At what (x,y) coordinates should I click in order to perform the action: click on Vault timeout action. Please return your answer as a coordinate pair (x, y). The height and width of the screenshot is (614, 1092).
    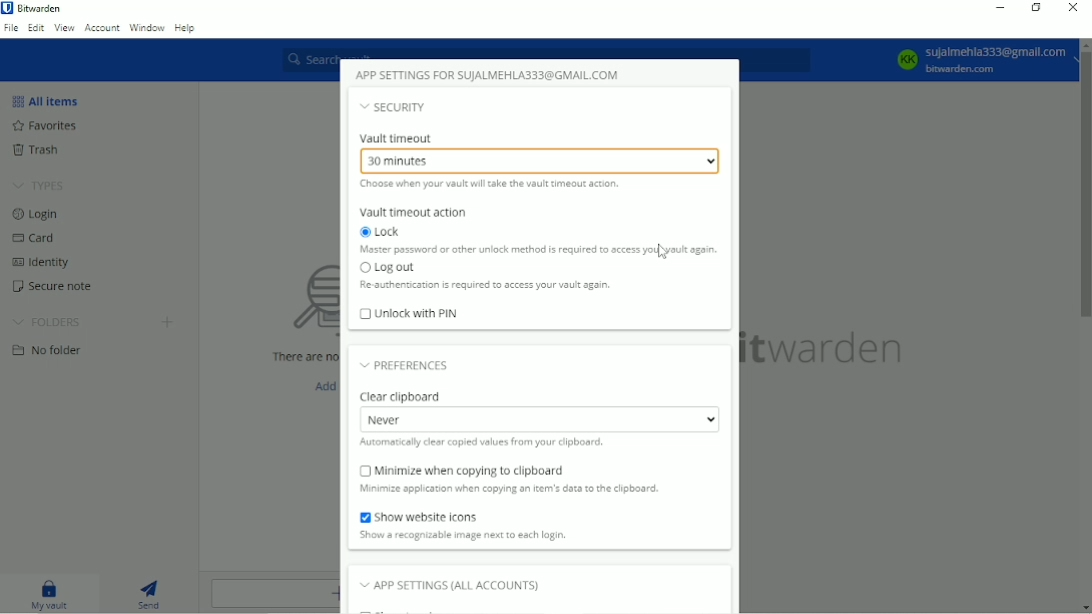
    Looking at the image, I should click on (414, 211).